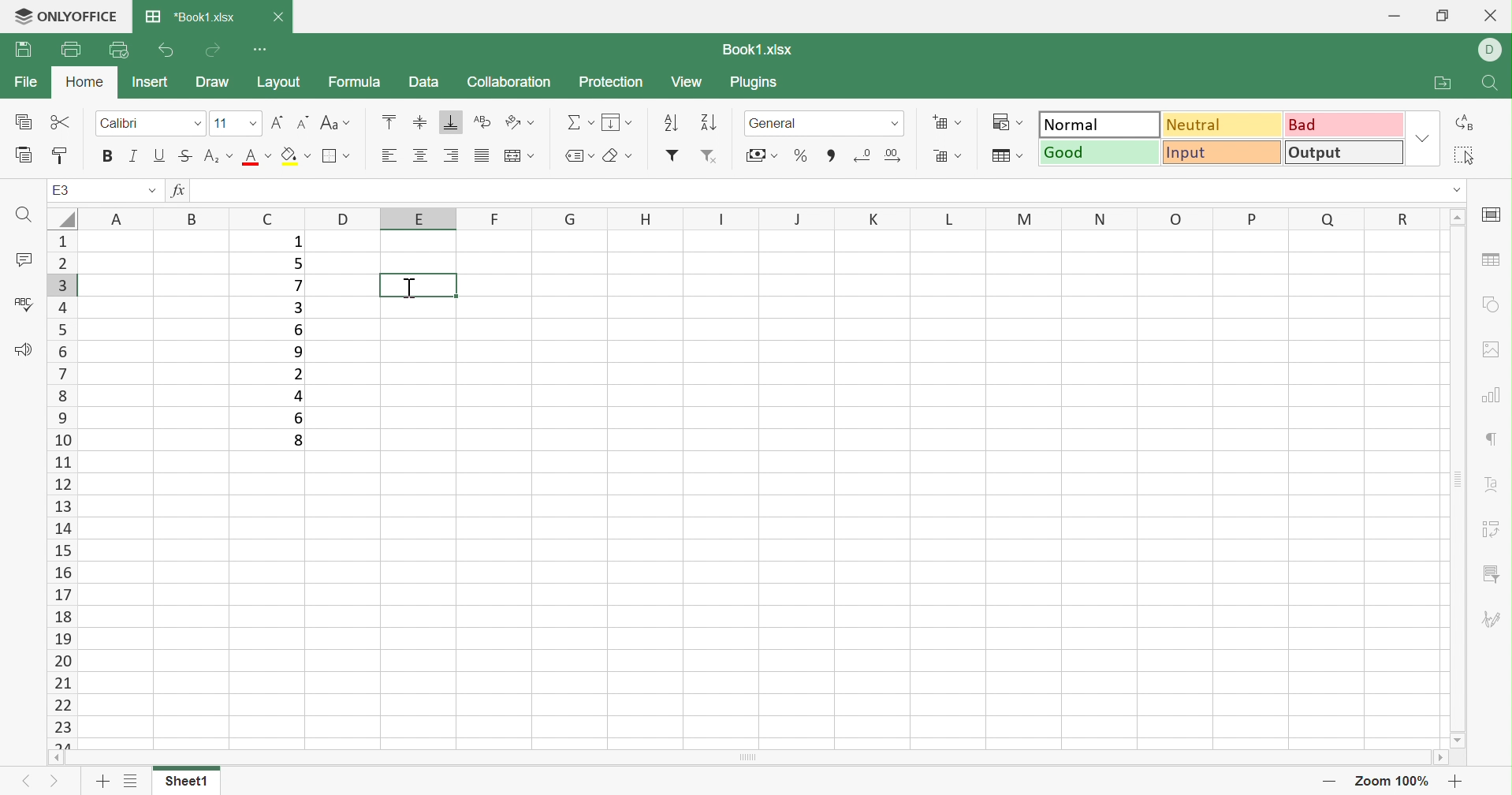 This screenshot has height=795, width=1512. I want to click on Find, so click(21, 216).